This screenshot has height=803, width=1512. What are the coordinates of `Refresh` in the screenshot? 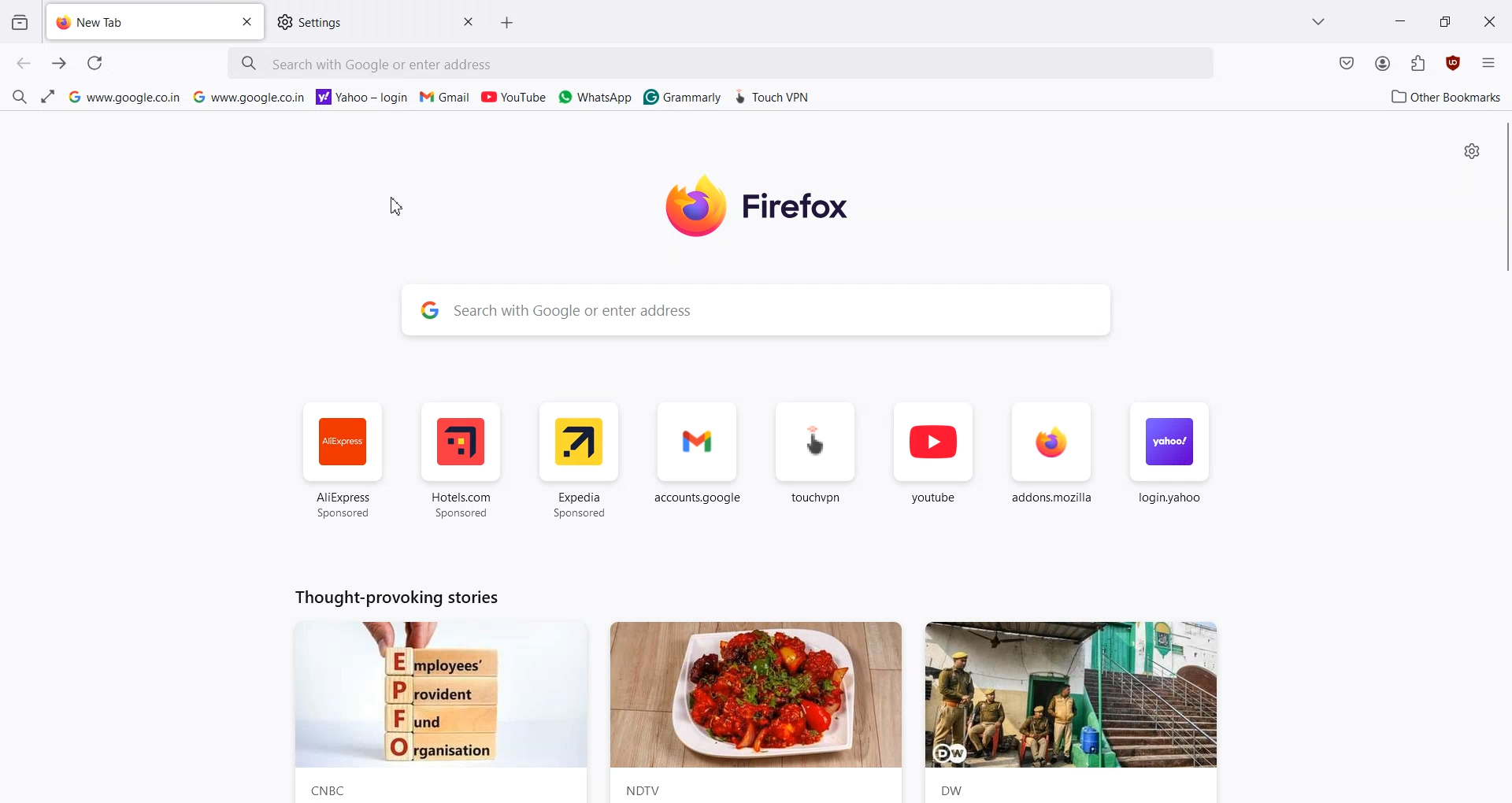 It's located at (94, 63).